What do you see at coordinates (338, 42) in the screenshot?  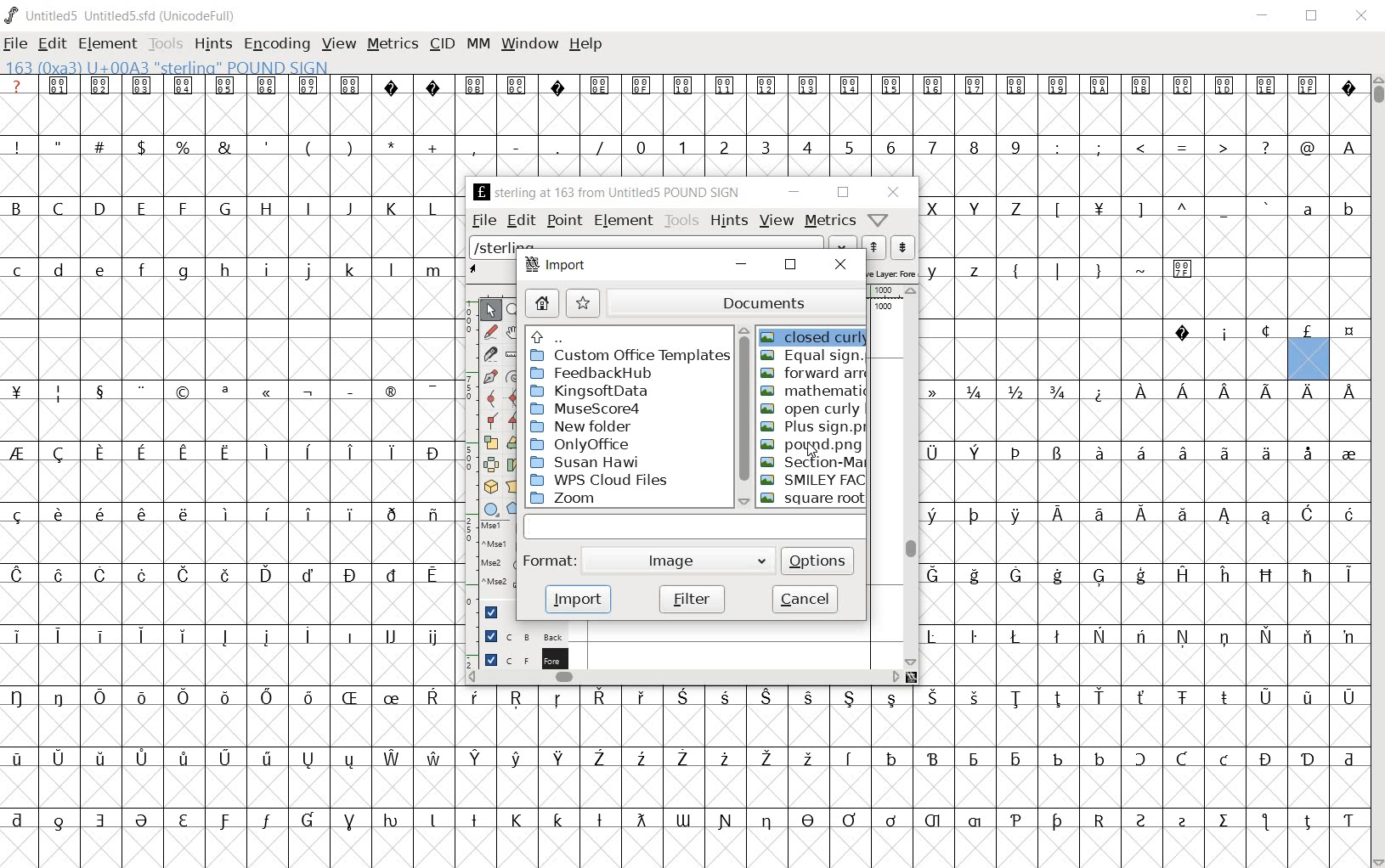 I see `VIEW` at bounding box center [338, 42].